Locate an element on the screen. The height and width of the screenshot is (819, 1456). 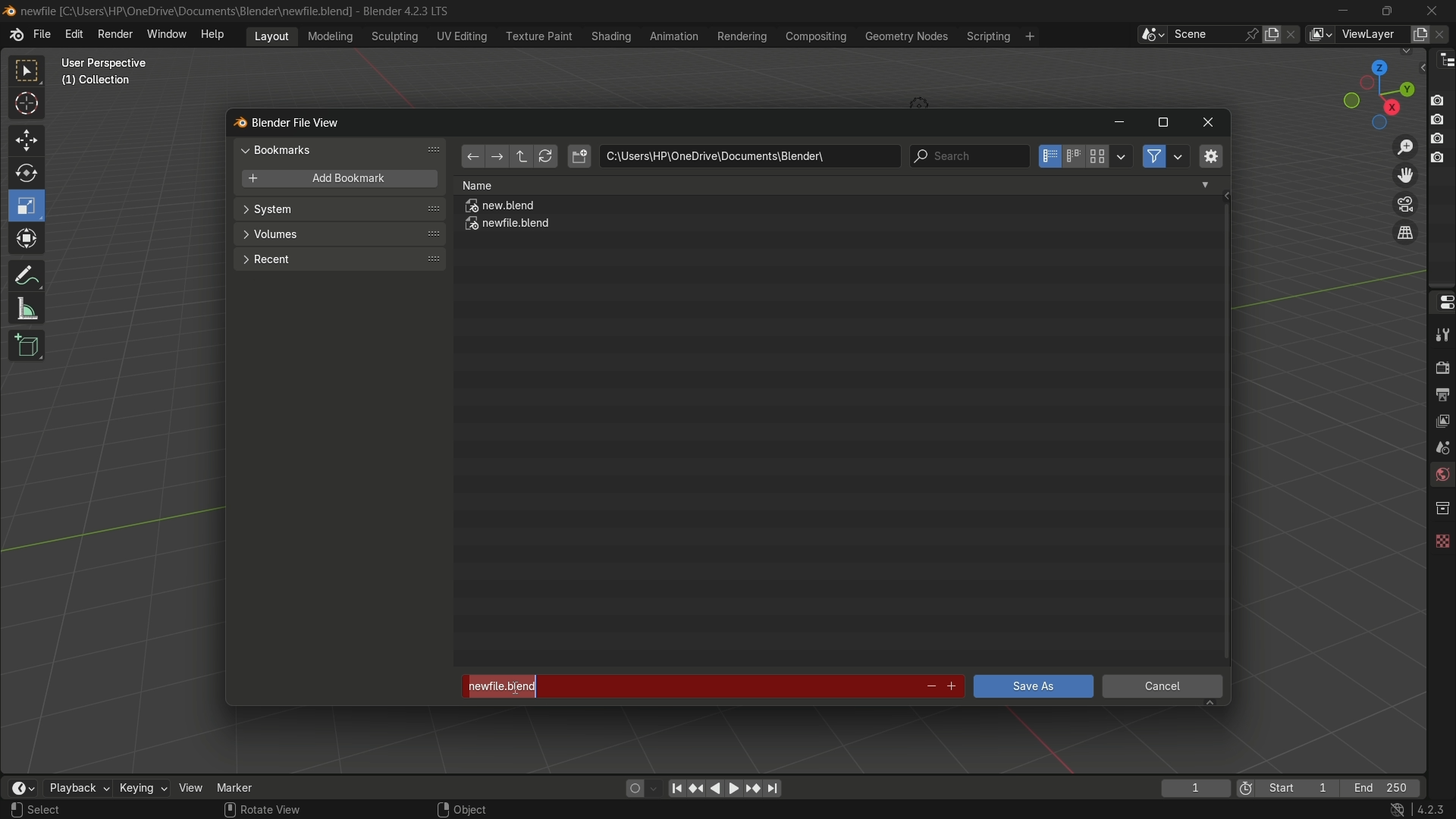
auto keyframe is located at coordinates (654, 788).